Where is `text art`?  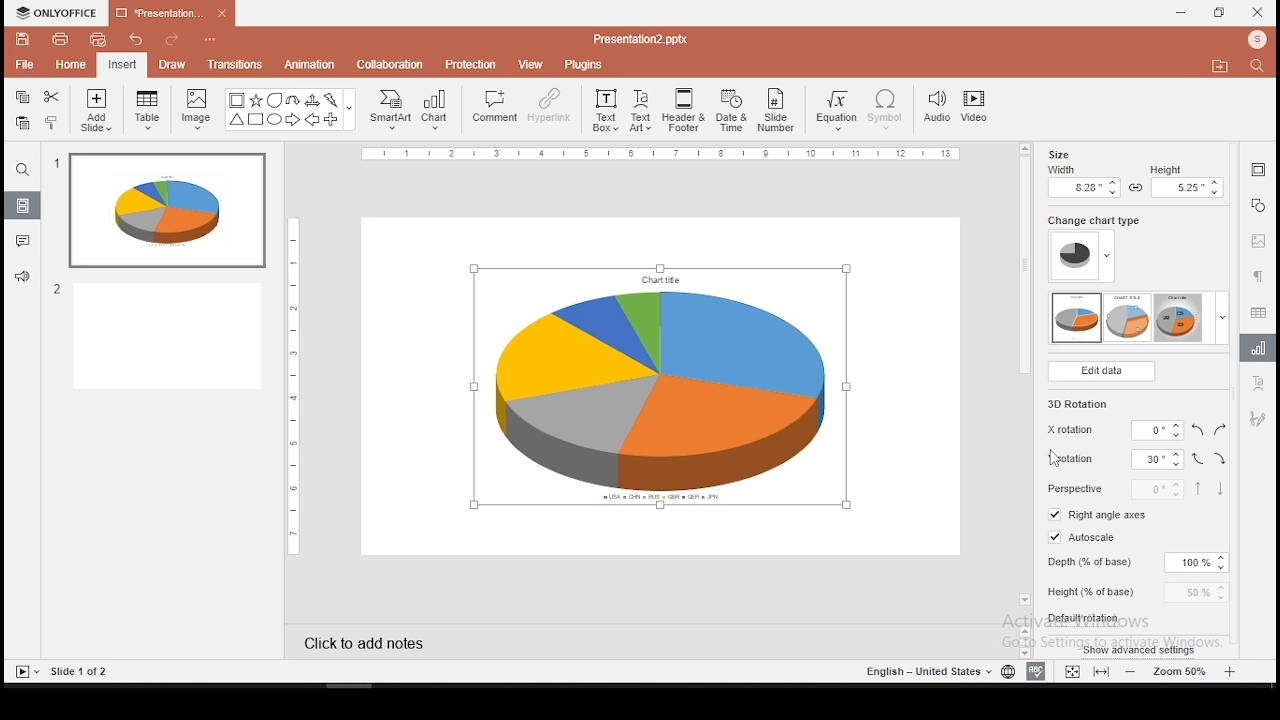
text art is located at coordinates (643, 109).